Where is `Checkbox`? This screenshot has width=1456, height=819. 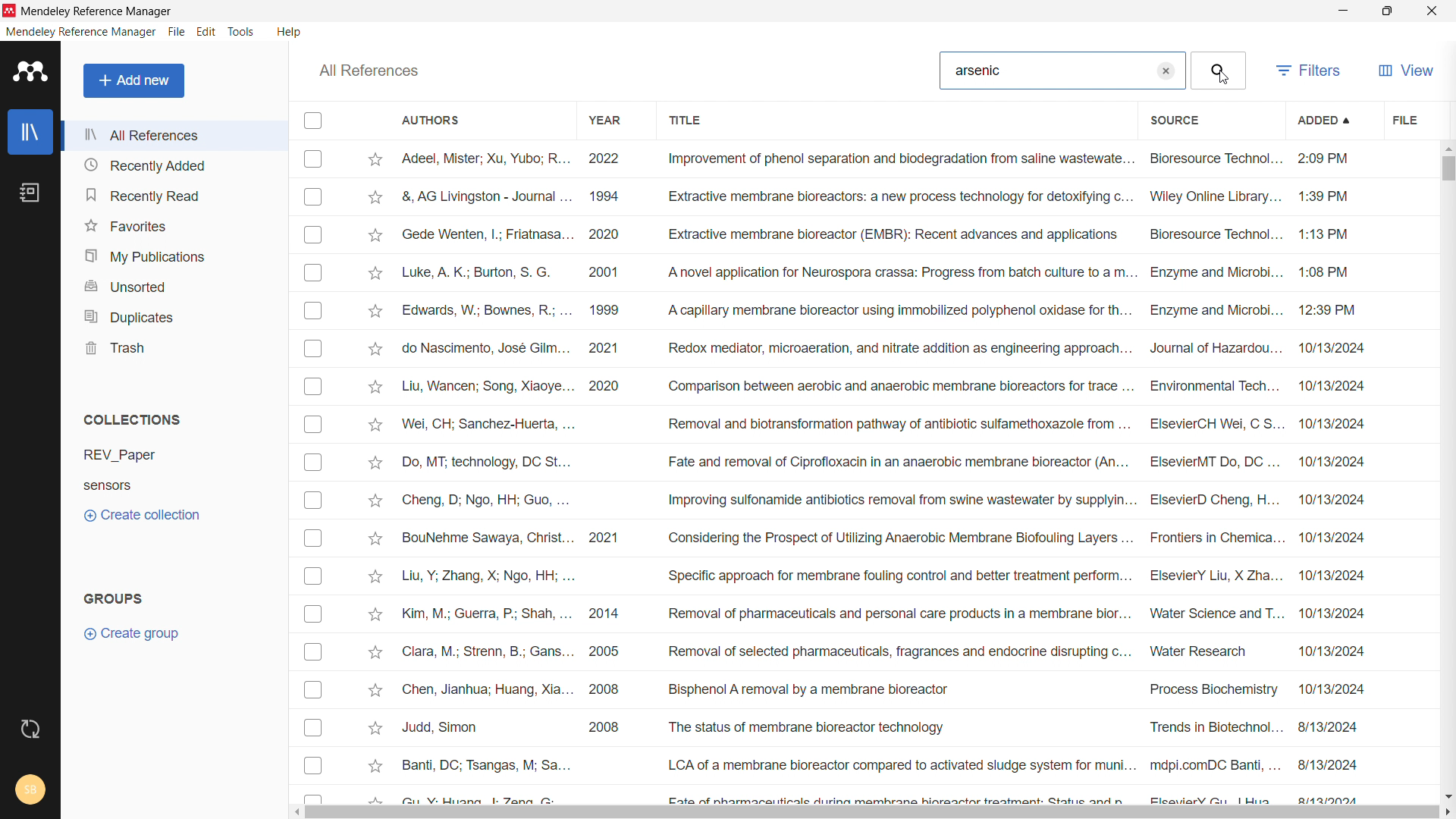
Checkbox is located at coordinates (314, 460).